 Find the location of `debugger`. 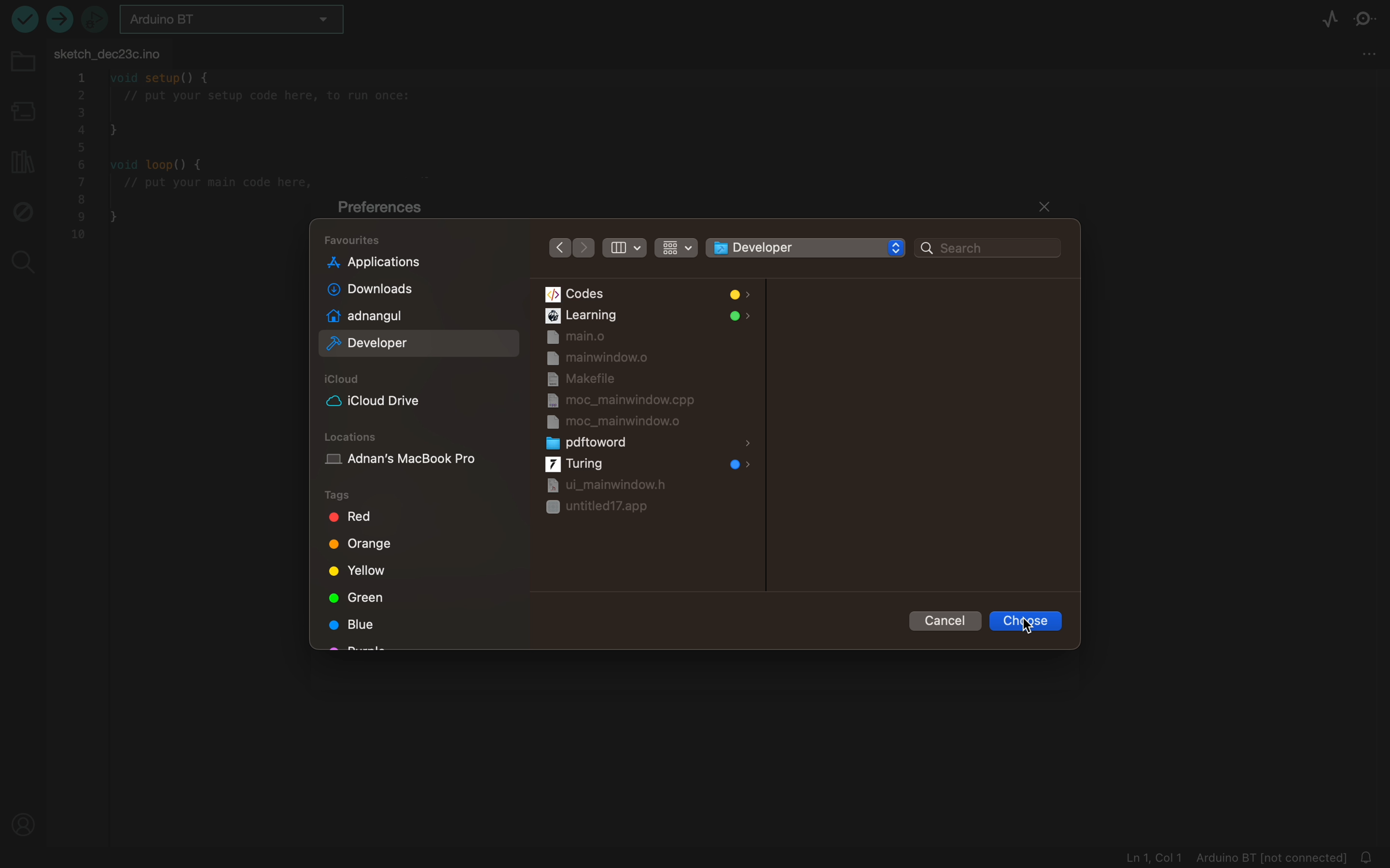

debugger is located at coordinates (24, 211).